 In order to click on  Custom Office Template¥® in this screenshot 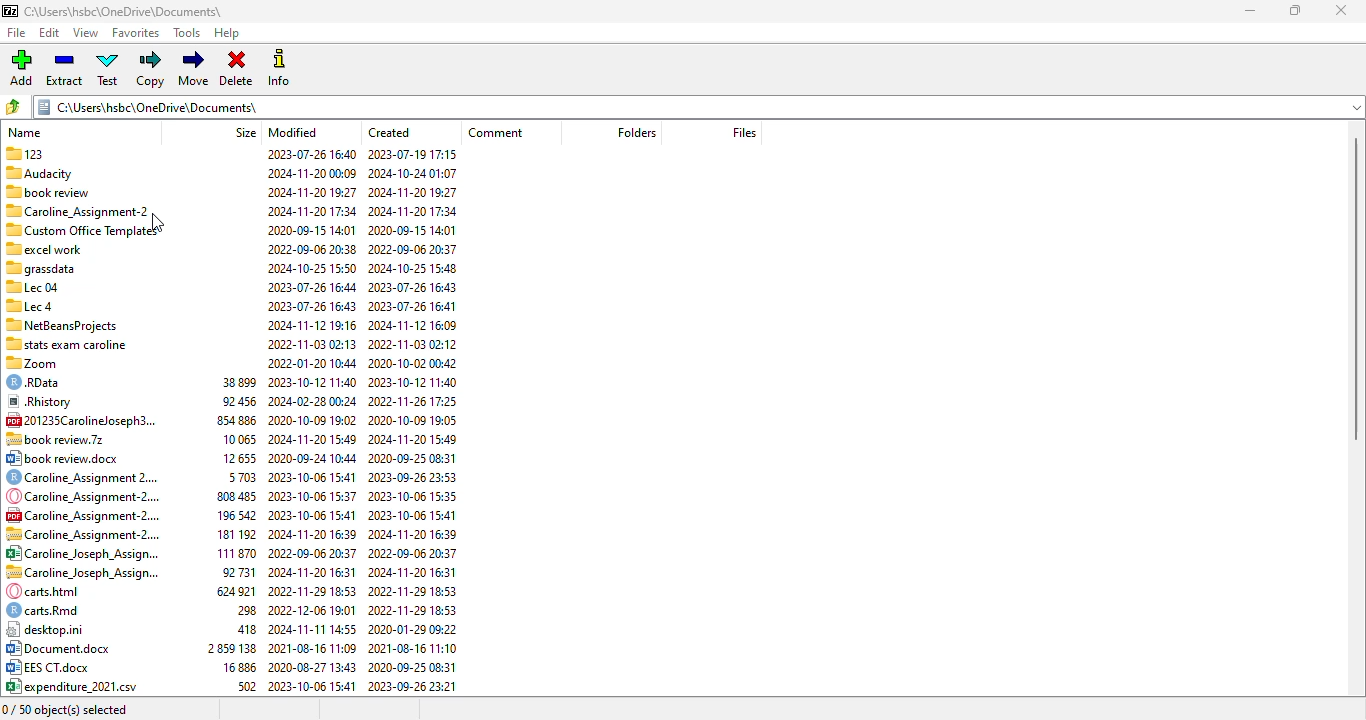, I will do `click(83, 230)`.